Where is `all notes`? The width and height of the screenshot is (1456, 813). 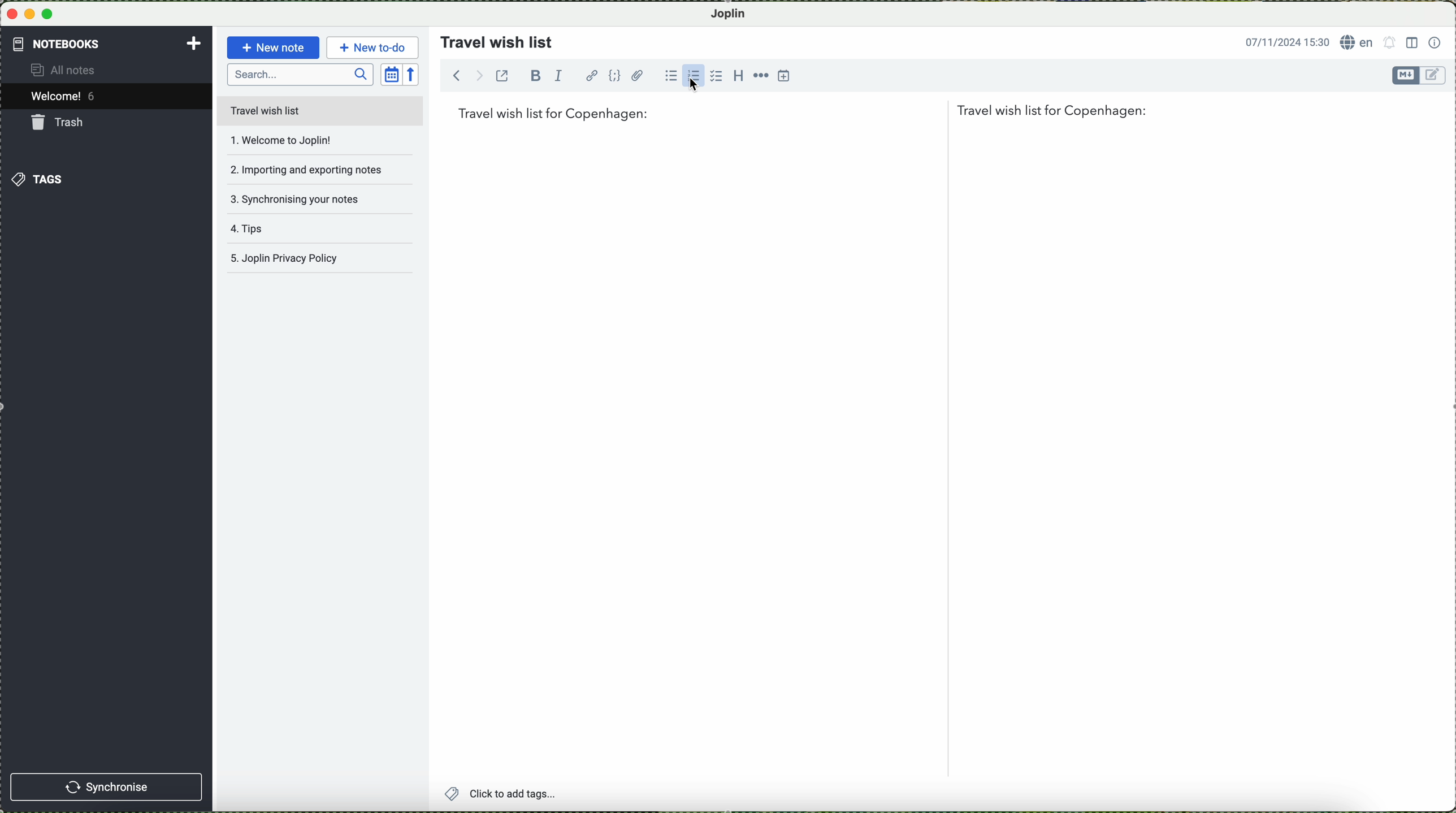 all notes is located at coordinates (73, 71).